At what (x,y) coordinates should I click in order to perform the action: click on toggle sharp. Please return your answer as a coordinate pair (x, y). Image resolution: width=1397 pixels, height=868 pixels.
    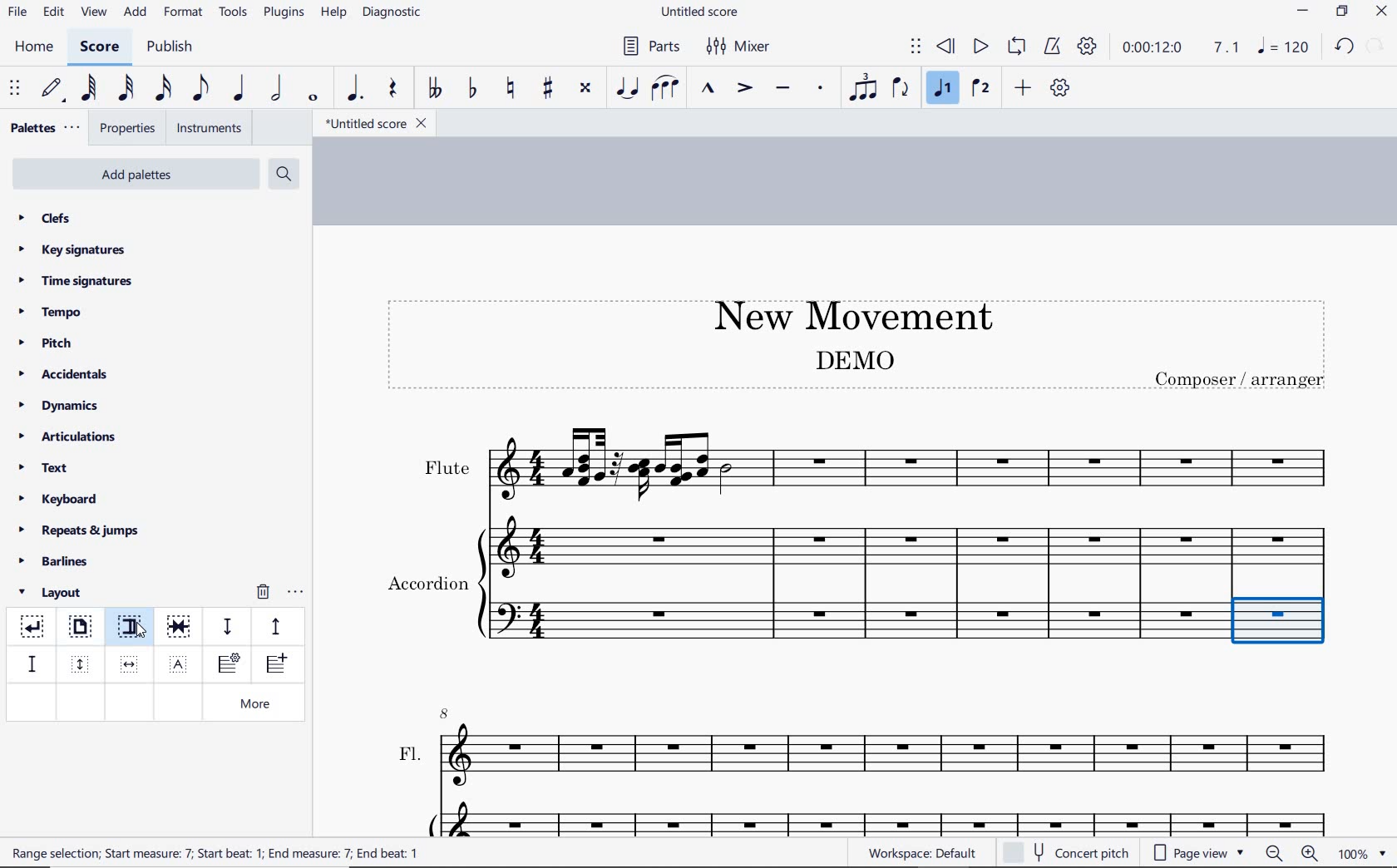
    Looking at the image, I should click on (550, 89).